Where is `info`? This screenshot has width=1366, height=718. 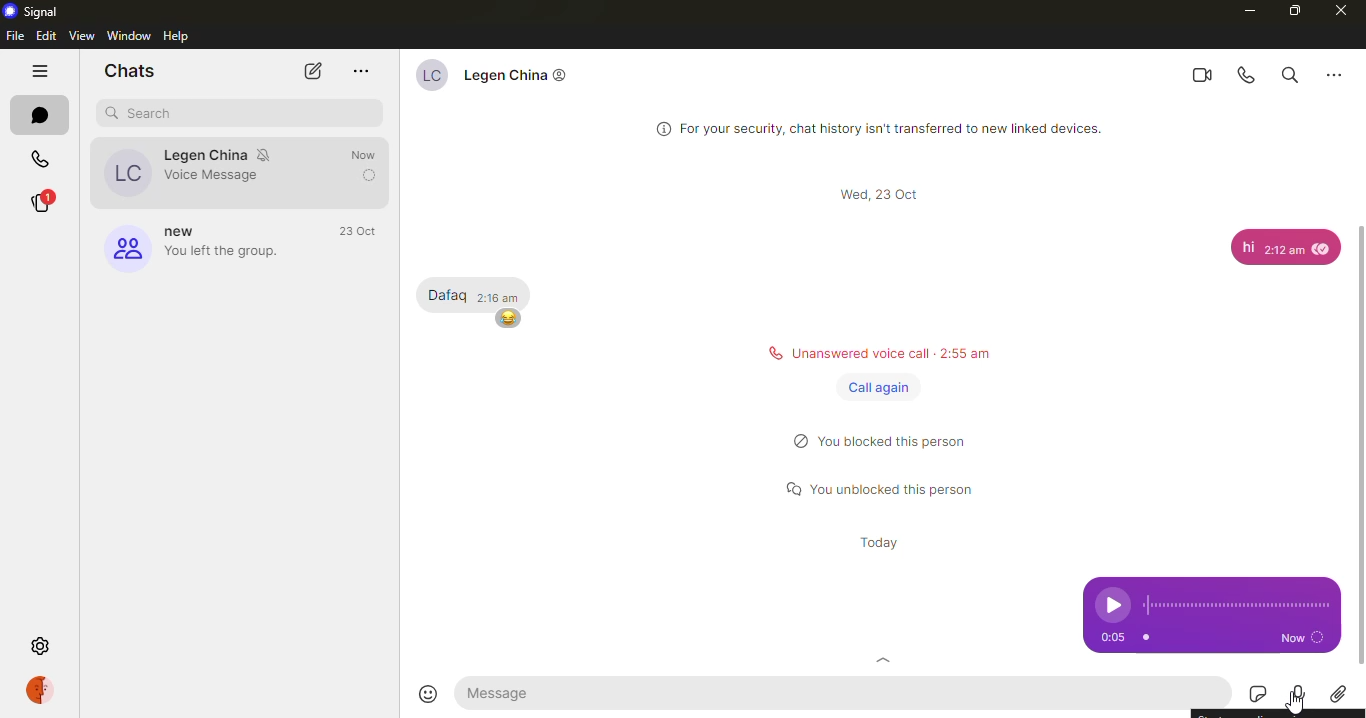
info is located at coordinates (895, 129).